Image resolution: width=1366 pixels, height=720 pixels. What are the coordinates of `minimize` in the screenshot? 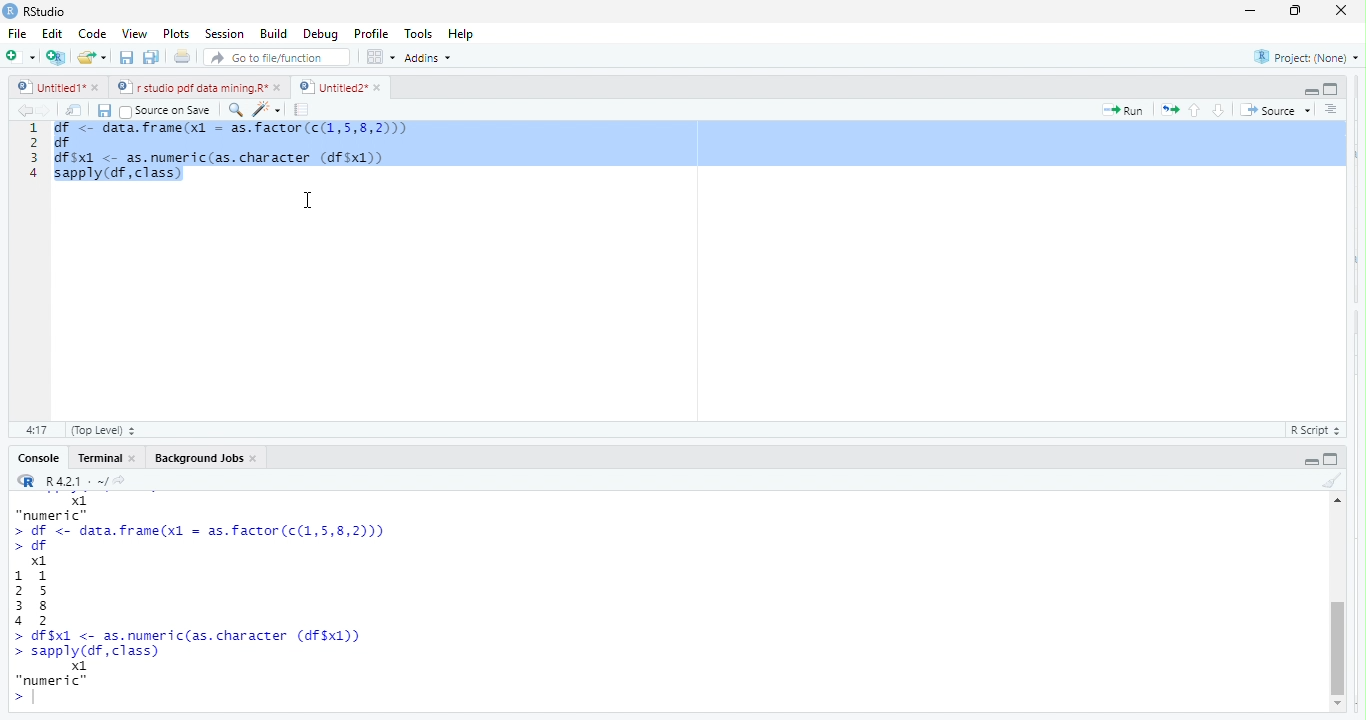 It's located at (1246, 12).